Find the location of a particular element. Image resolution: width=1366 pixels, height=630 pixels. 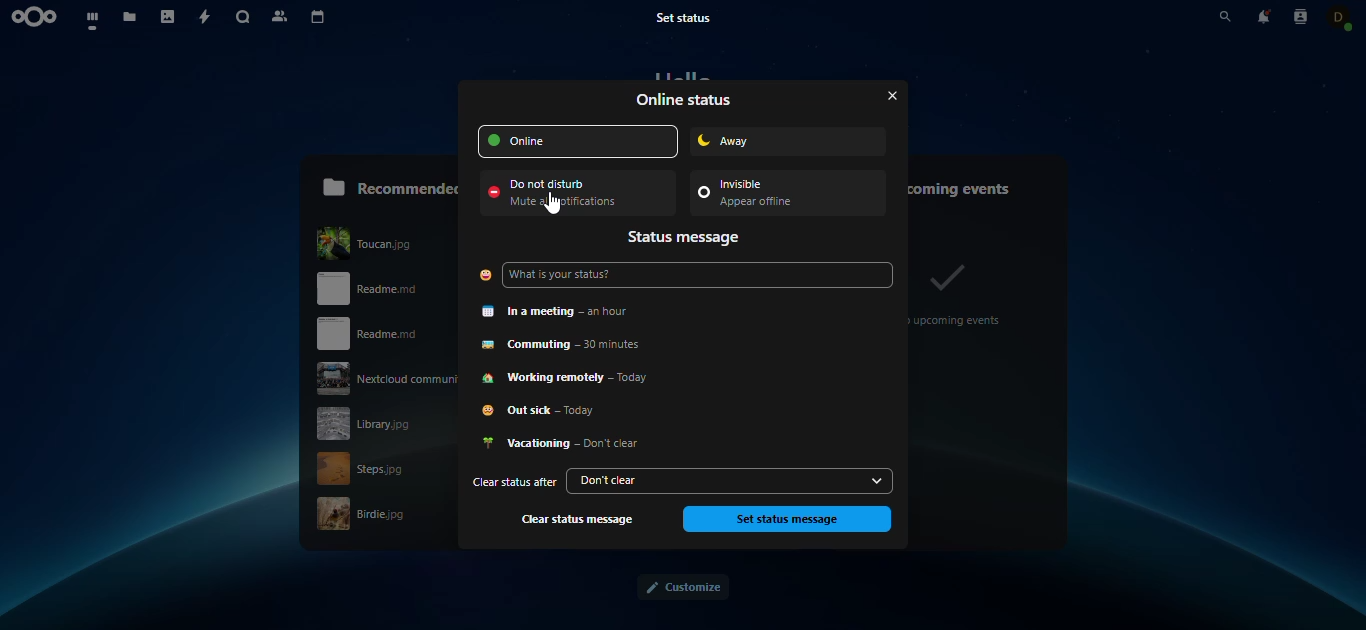

clear status after is located at coordinates (512, 483).